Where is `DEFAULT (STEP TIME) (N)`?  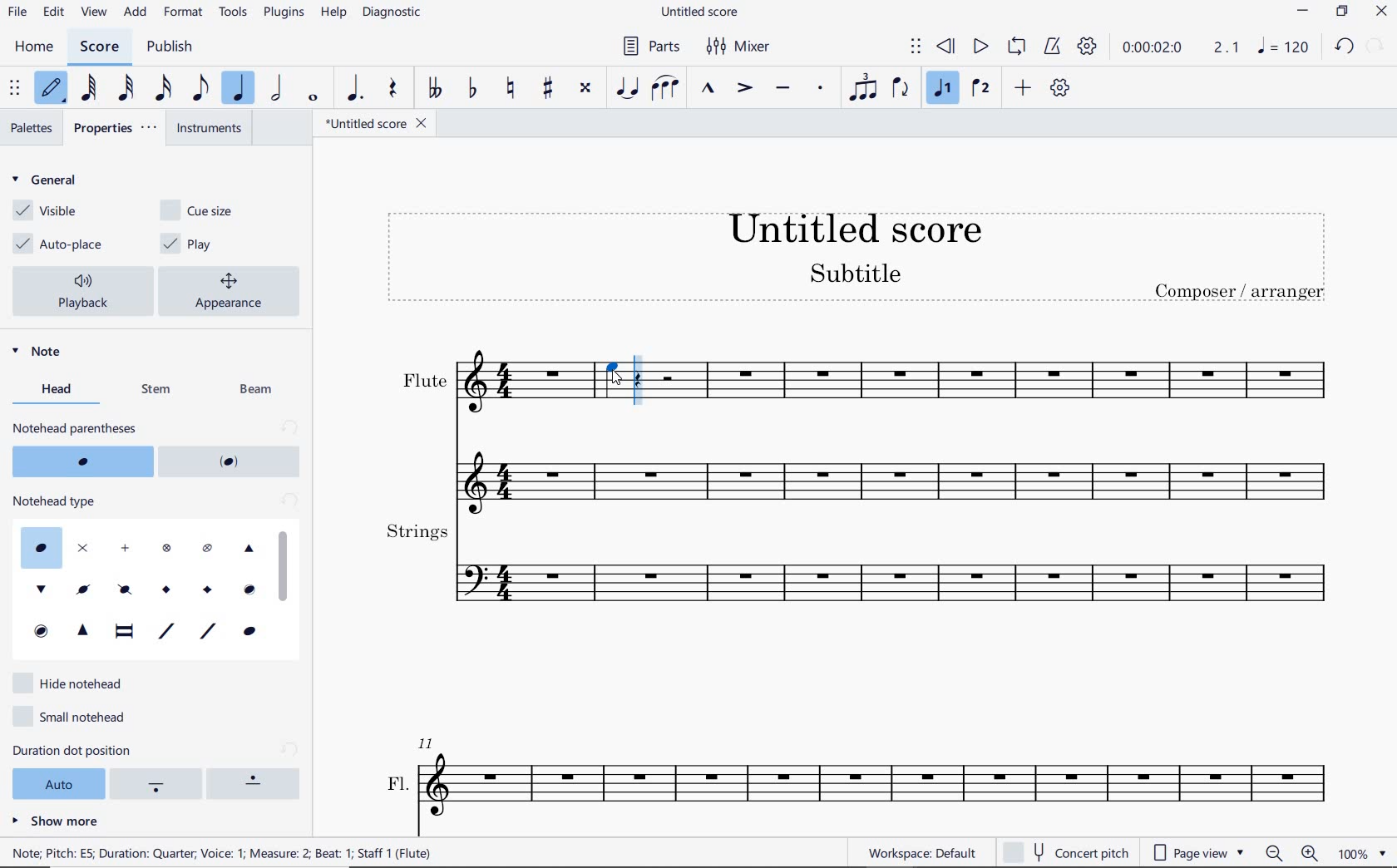
DEFAULT (STEP TIME) (N) is located at coordinates (51, 89).